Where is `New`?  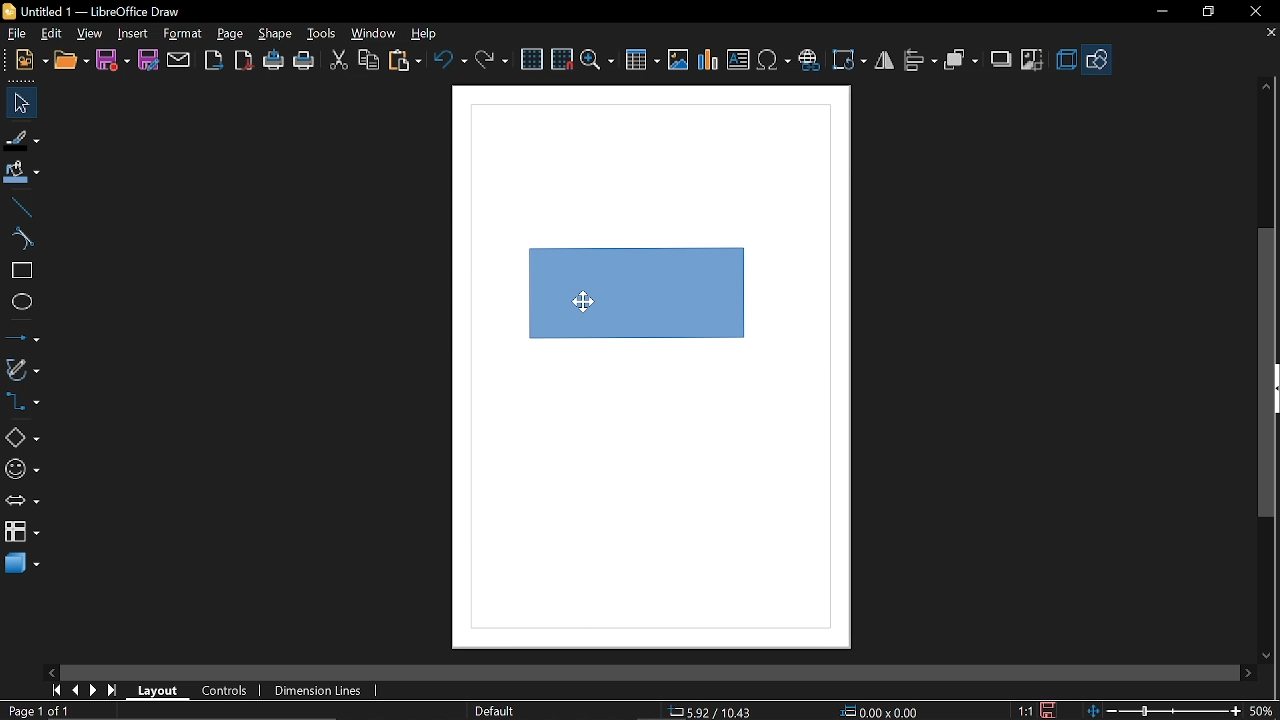
New is located at coordinates (25, 61).